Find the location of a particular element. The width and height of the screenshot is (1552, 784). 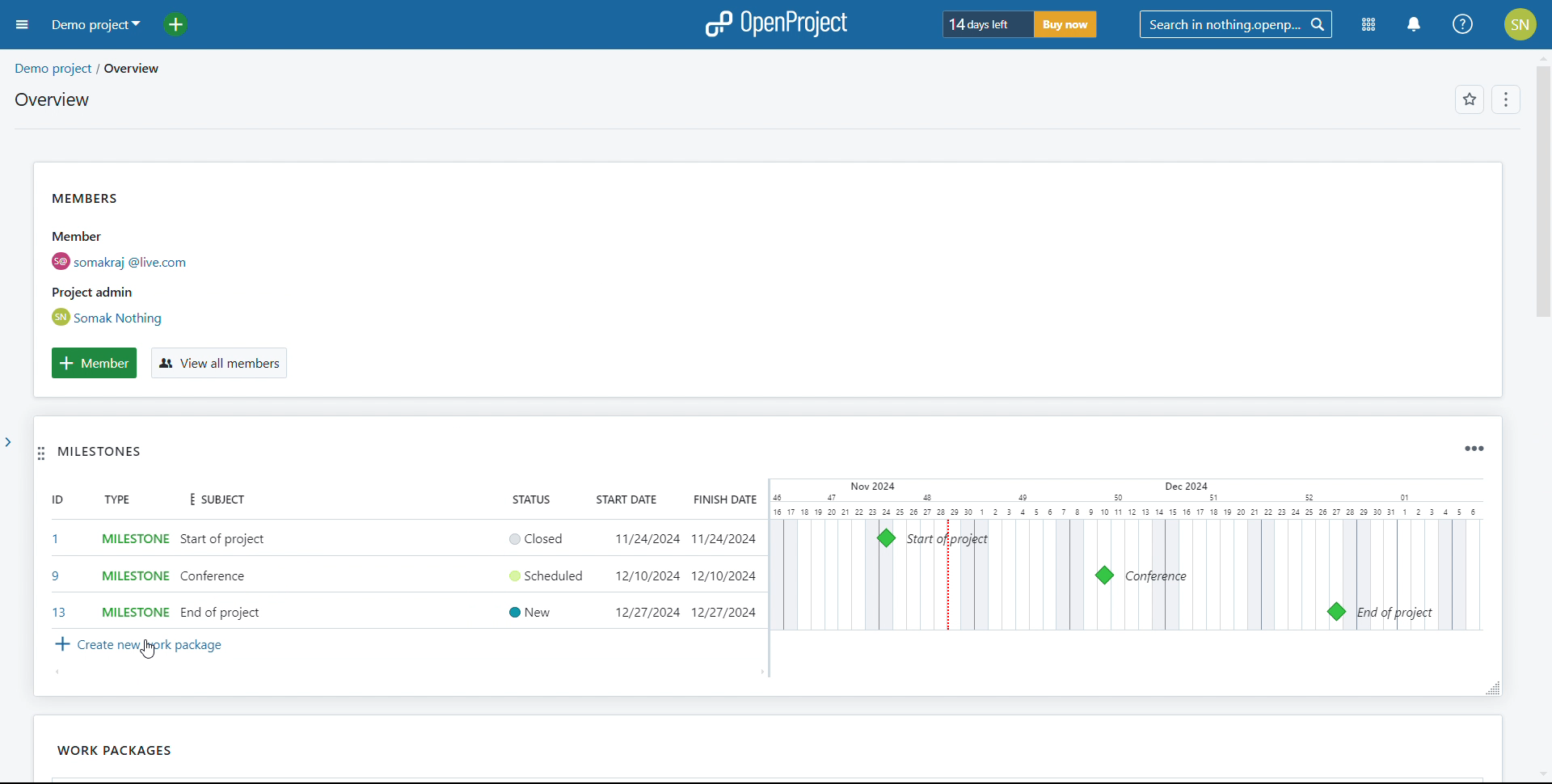

milestone 9 is located at coordinates (1104, 575).